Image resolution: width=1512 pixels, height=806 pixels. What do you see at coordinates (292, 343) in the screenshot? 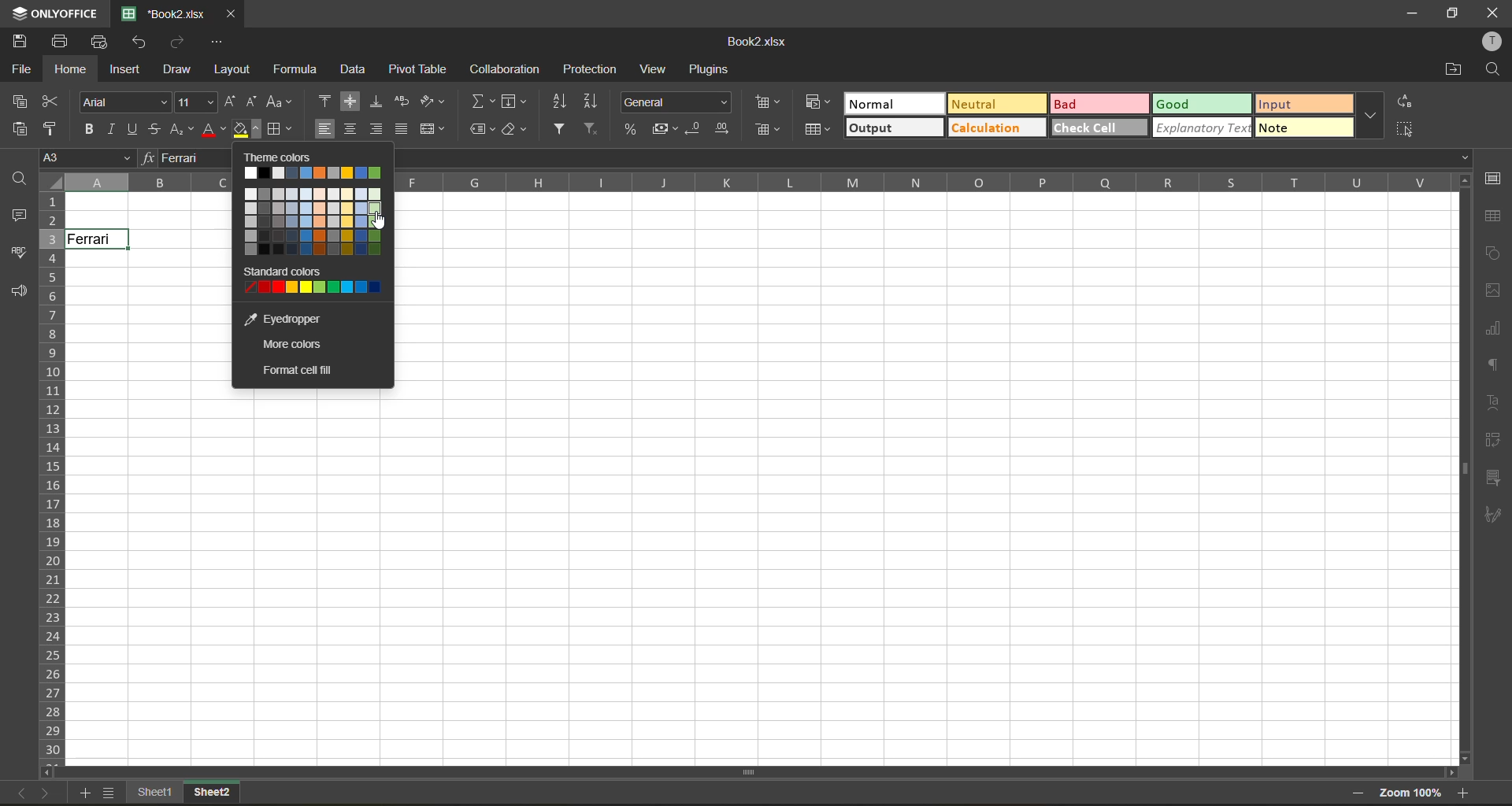
I see `more colors` at bounding box center [292, 343].